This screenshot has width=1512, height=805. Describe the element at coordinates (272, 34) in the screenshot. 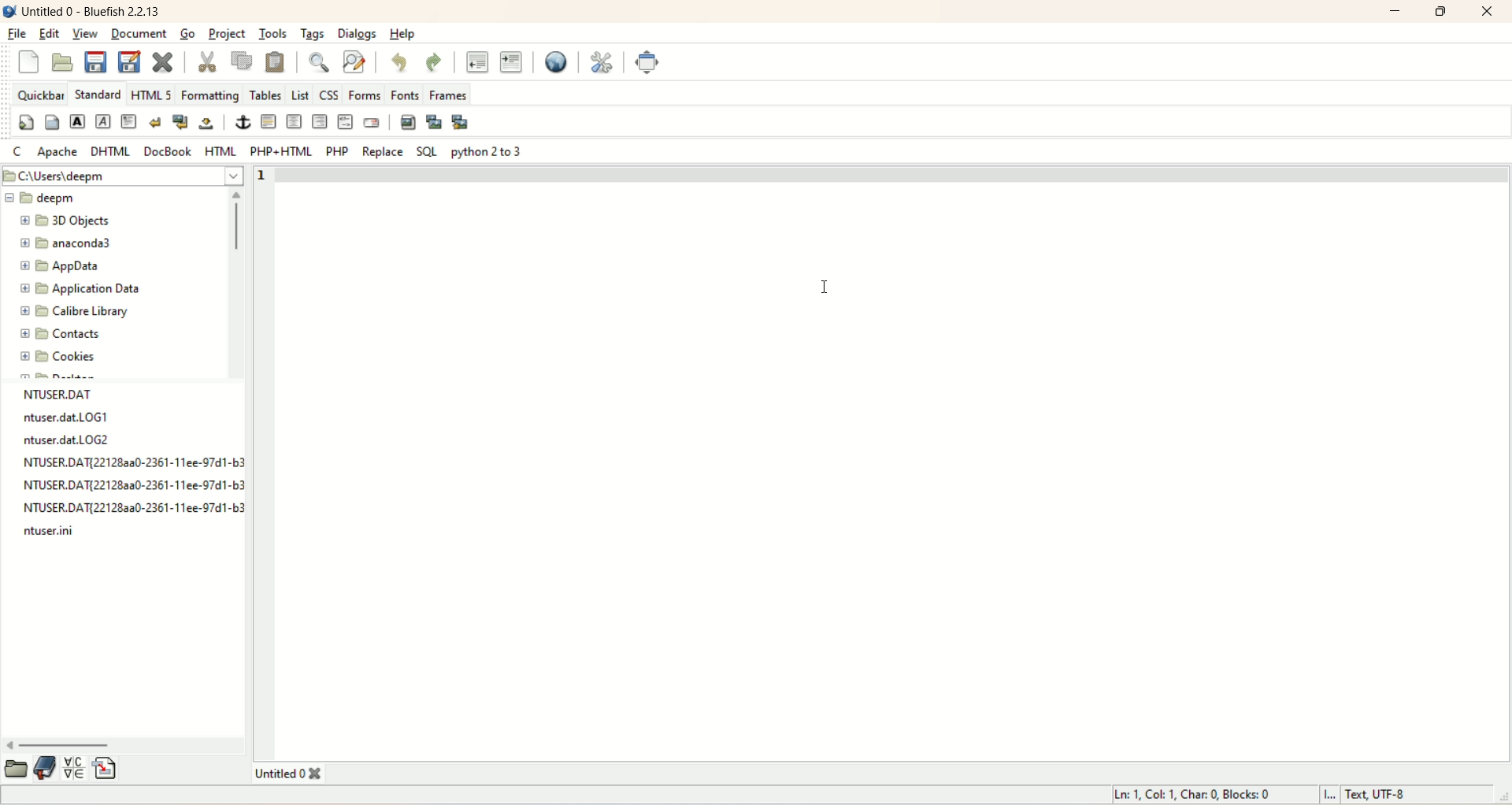

I see `tools` at that location.